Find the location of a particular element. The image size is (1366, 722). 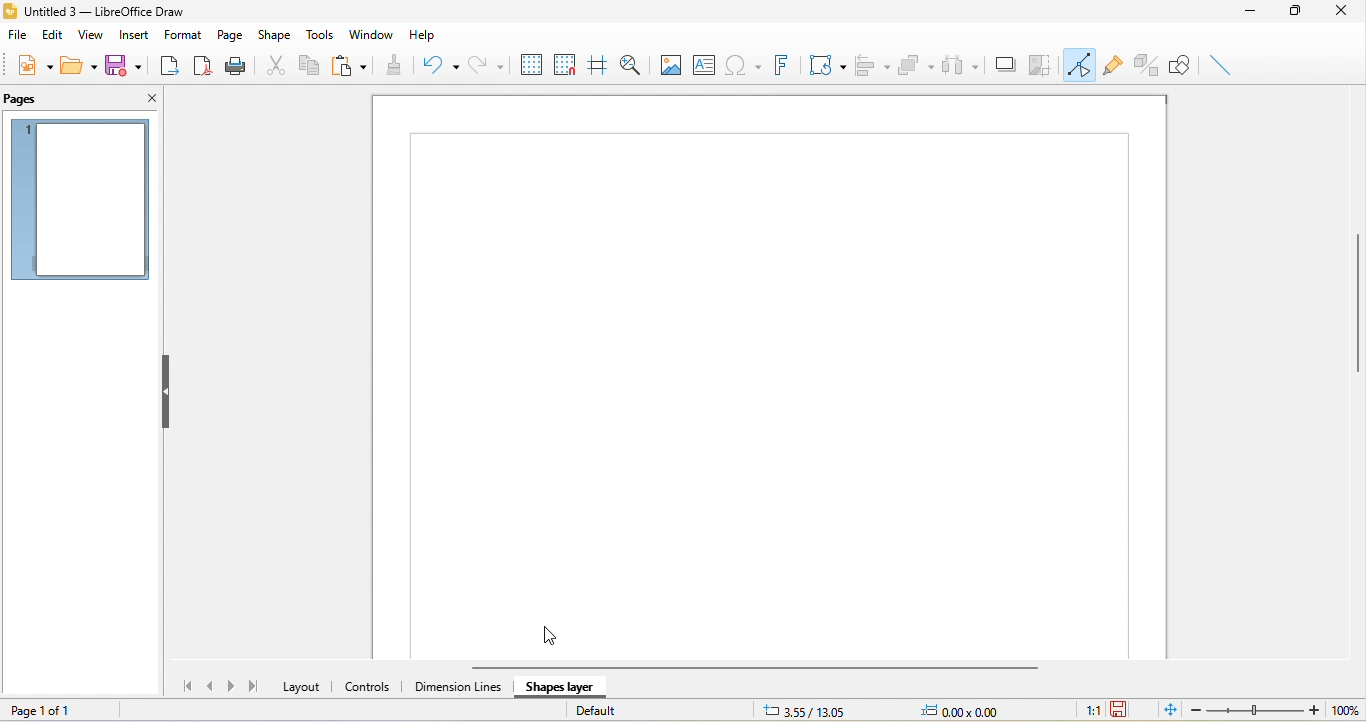

window is located at coordinates (374, 34).